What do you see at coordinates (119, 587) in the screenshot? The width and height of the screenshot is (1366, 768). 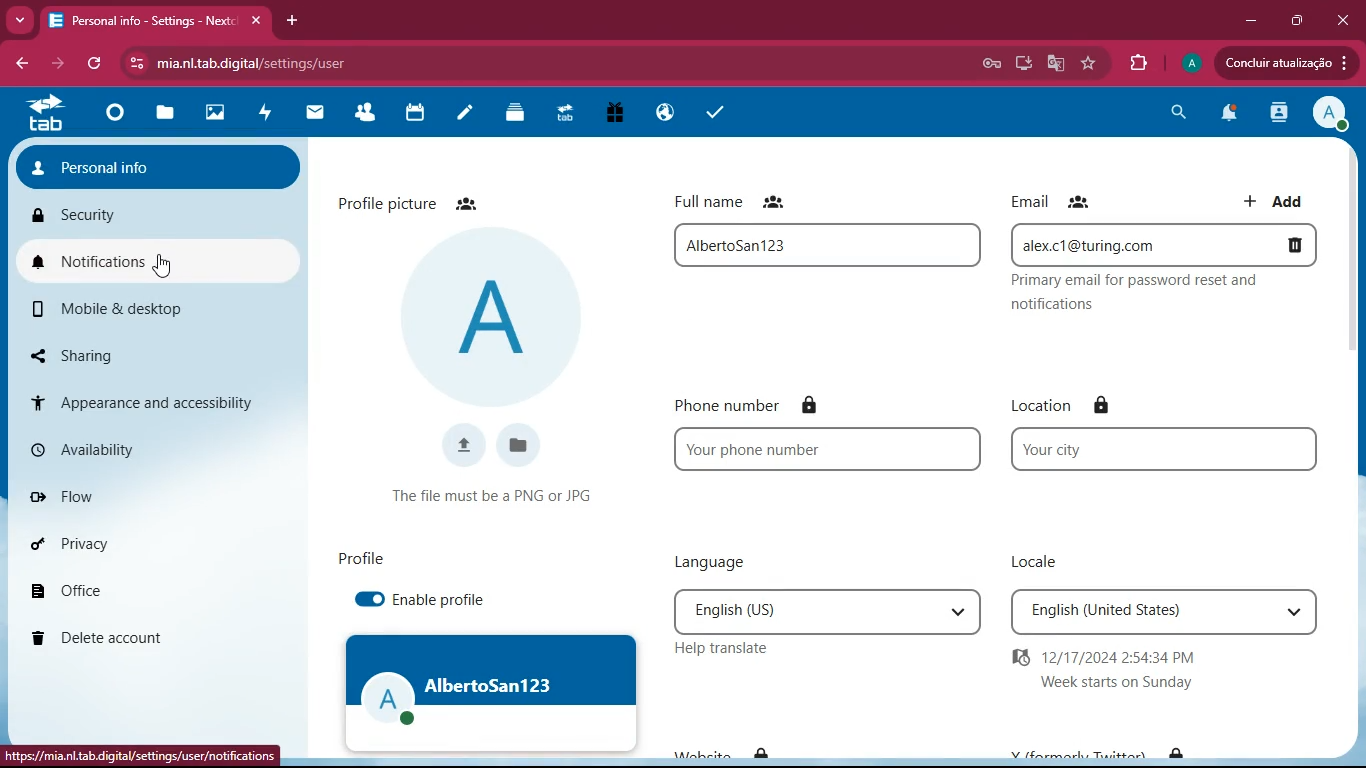 I see `office` at bounding box center [119, 587].